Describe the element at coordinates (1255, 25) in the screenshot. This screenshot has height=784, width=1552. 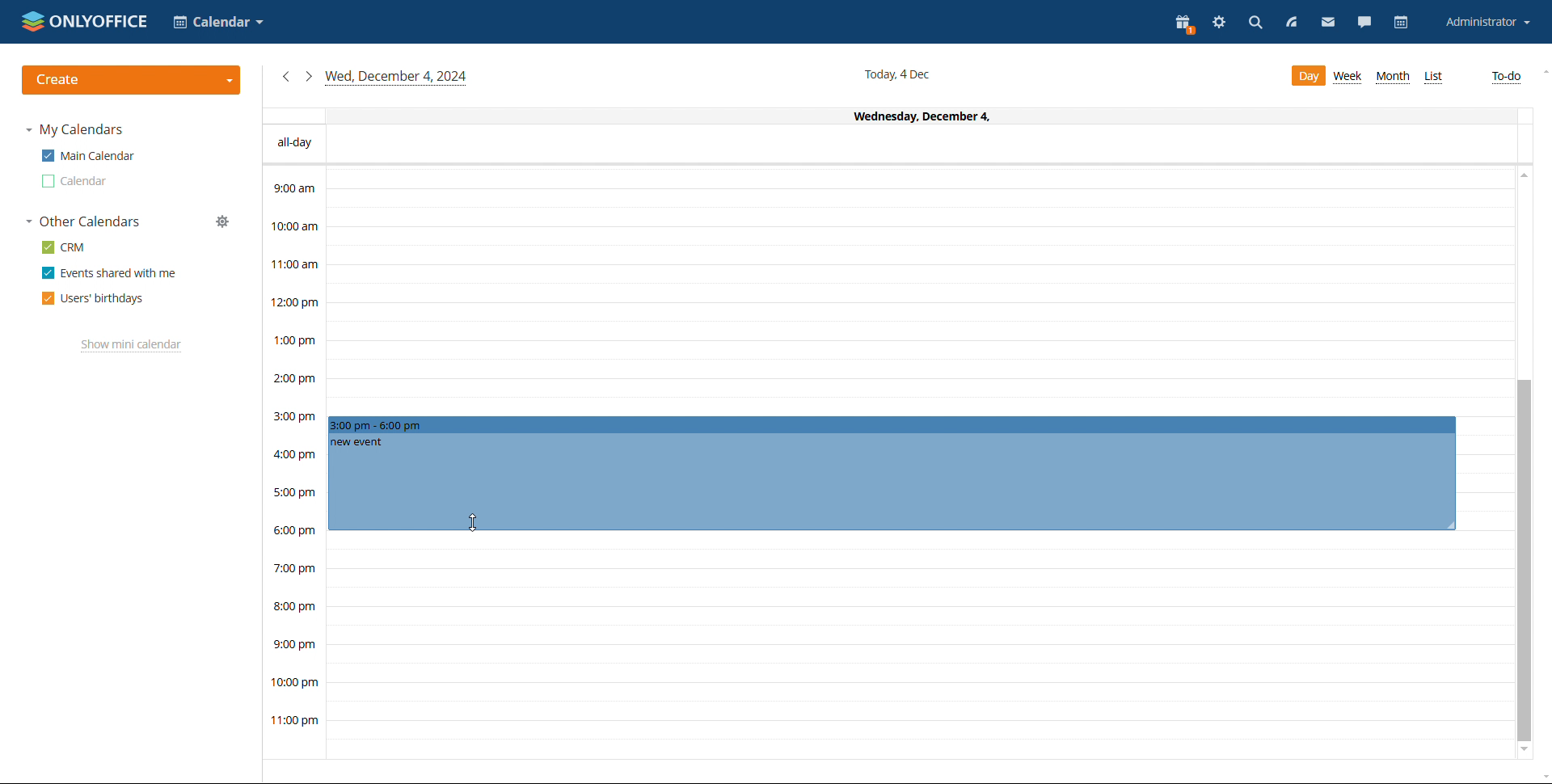
I see `search` at that location.